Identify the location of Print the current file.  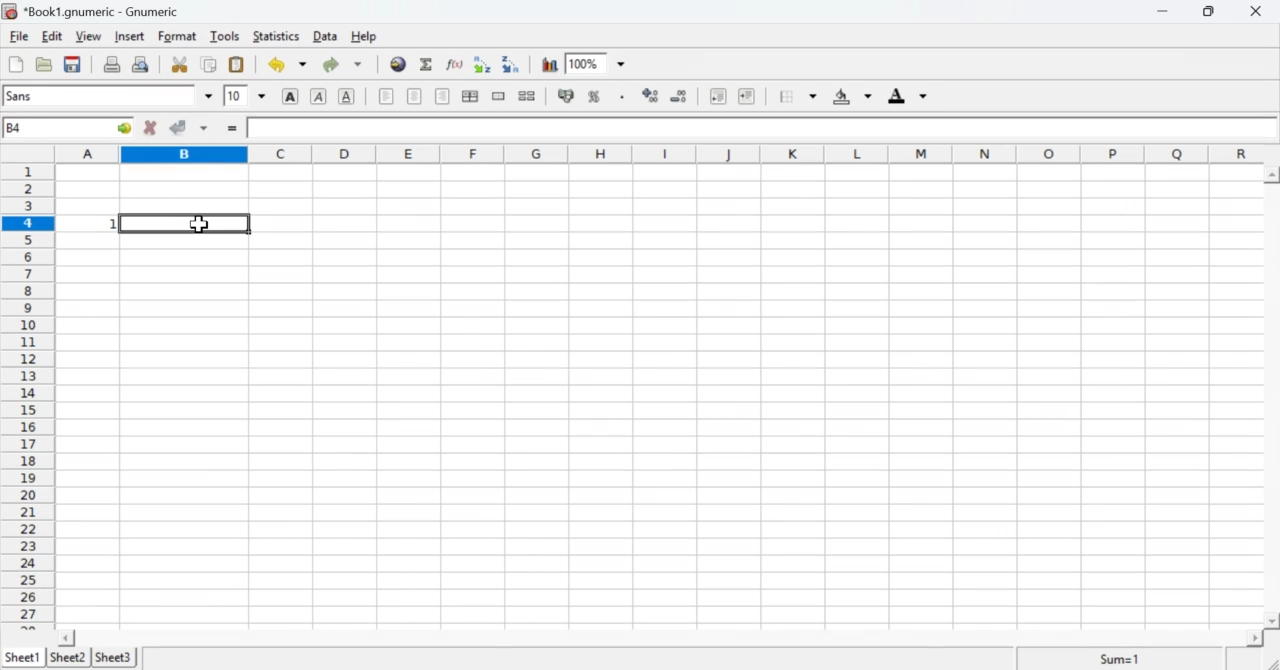
(111, 63).